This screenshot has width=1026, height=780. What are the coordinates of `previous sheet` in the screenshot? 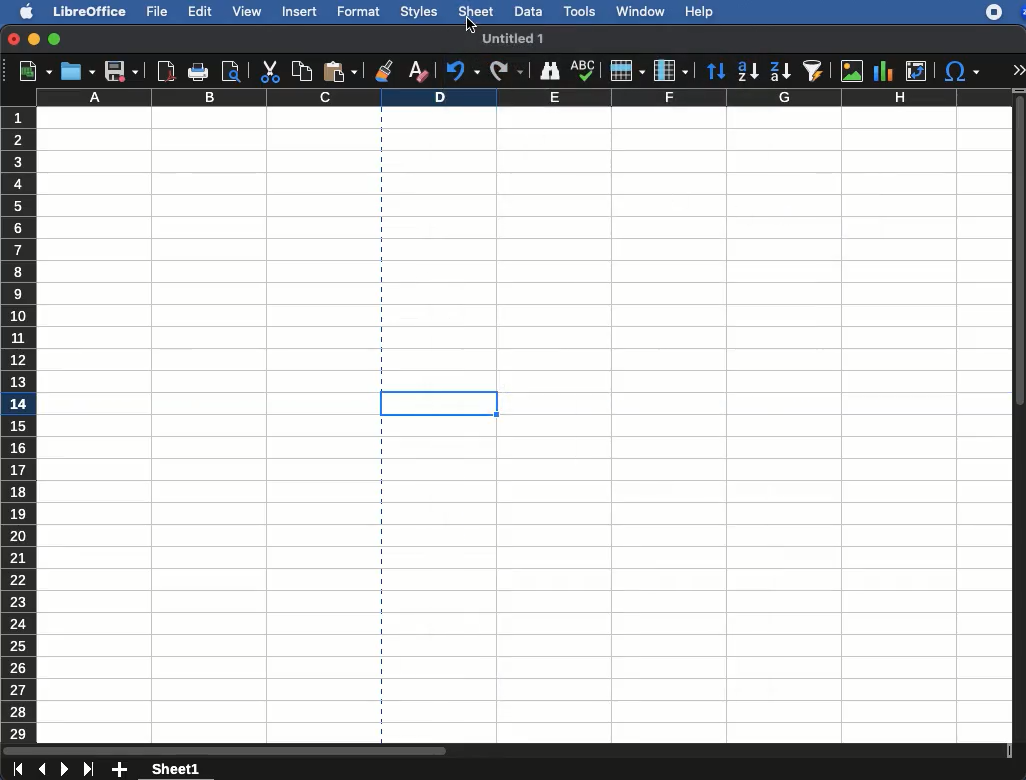 It's located at (43, 770).